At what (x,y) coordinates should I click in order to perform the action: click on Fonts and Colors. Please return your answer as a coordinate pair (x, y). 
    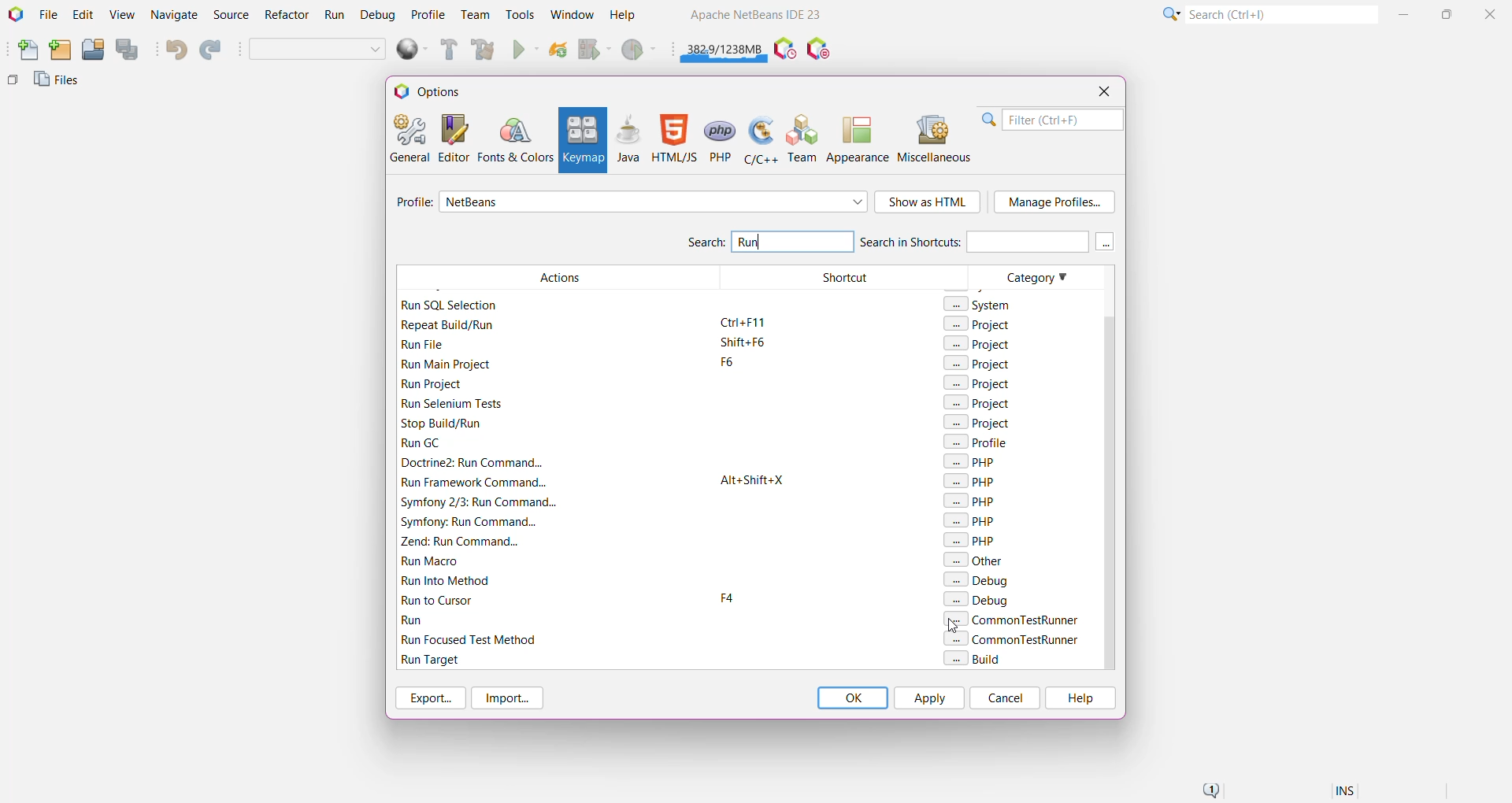
    Looking at the image, I should click on (515, 139).